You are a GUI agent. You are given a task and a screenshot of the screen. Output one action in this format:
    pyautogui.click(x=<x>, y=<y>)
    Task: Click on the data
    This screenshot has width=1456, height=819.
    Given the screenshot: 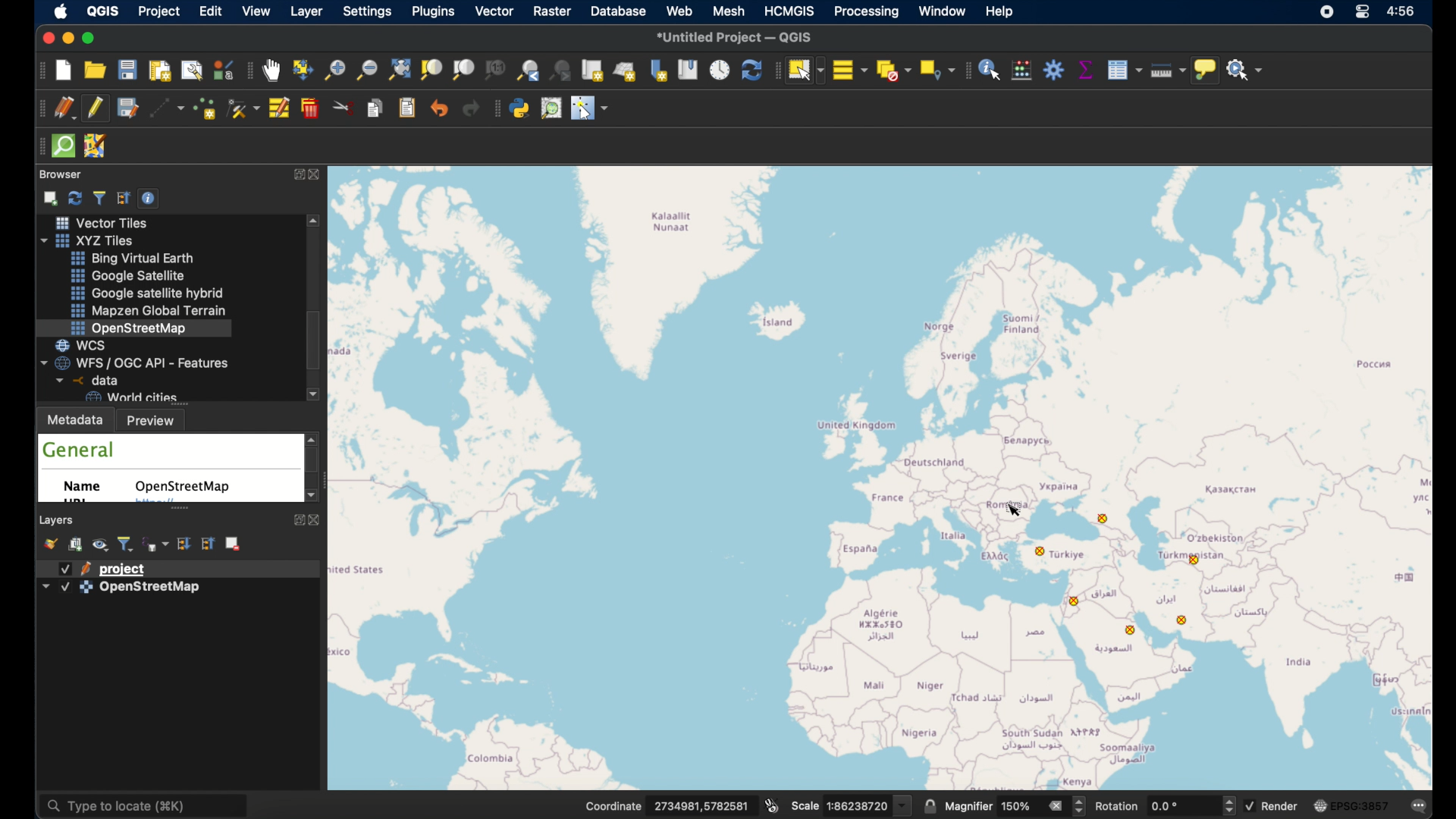 What is the action you would take?
    pyautogui.click(x=84, y=380)
    